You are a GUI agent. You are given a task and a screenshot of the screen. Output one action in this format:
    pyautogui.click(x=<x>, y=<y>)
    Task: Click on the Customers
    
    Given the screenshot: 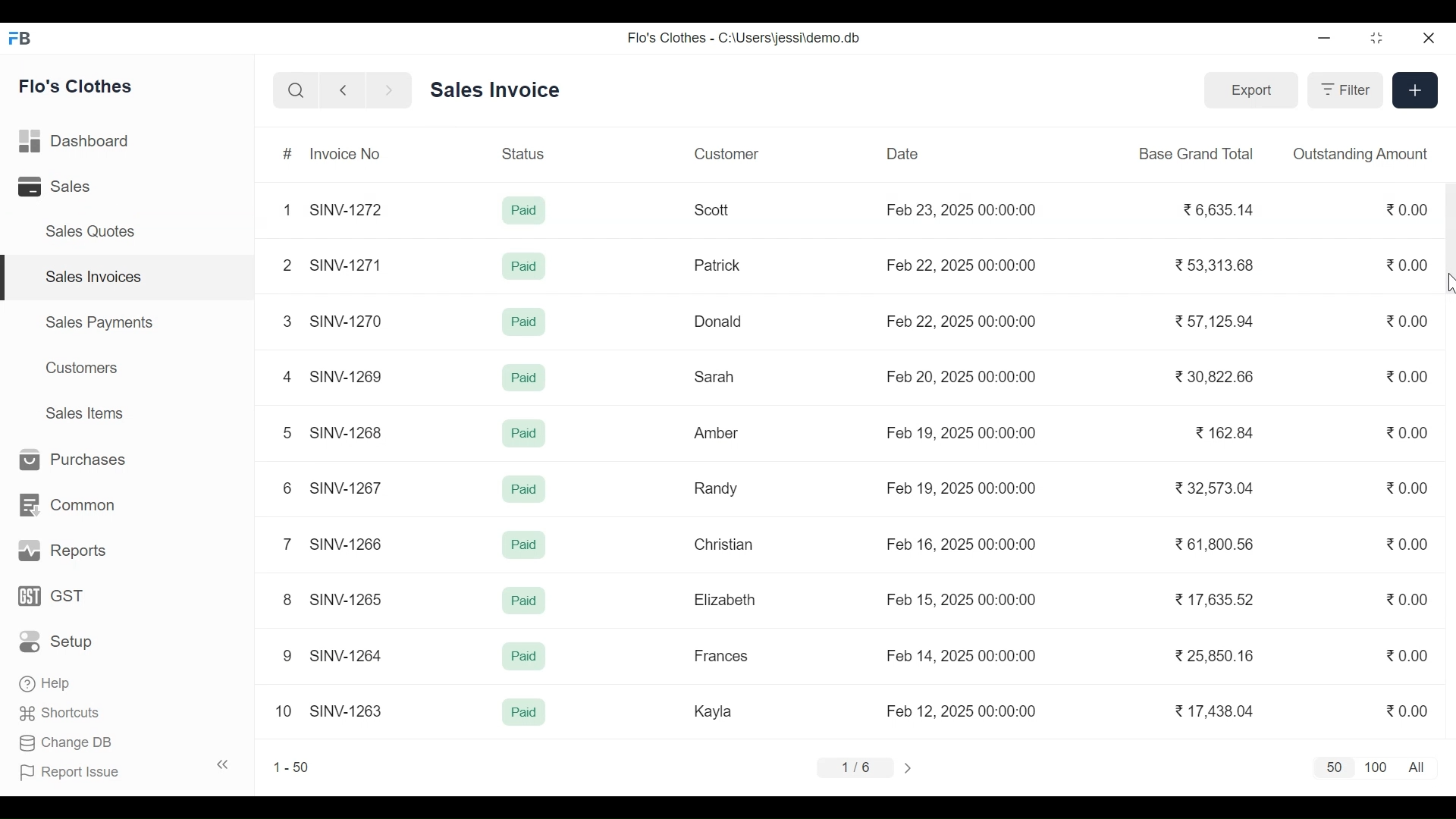 What is the action you would take?
    pyautogui.click(x=84, y=368)
    